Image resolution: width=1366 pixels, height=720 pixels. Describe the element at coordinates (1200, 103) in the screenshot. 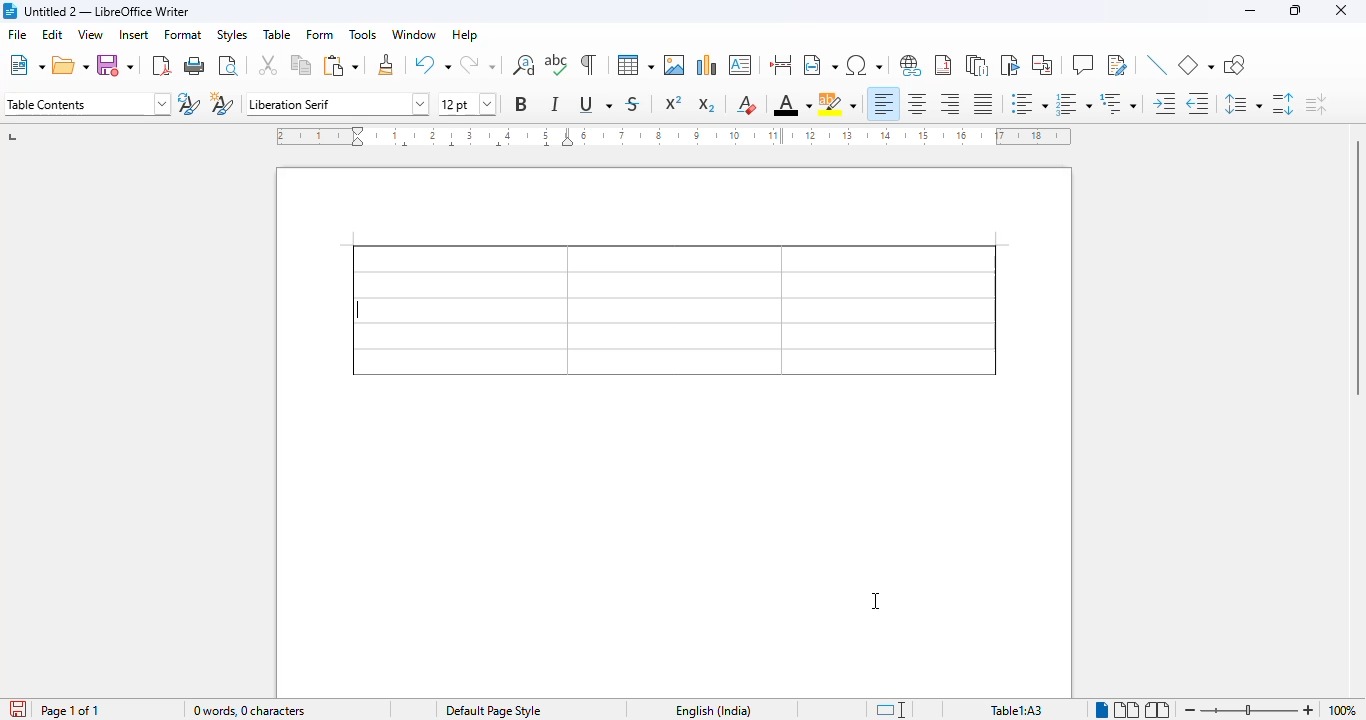

I see `decrease indent` at that location.